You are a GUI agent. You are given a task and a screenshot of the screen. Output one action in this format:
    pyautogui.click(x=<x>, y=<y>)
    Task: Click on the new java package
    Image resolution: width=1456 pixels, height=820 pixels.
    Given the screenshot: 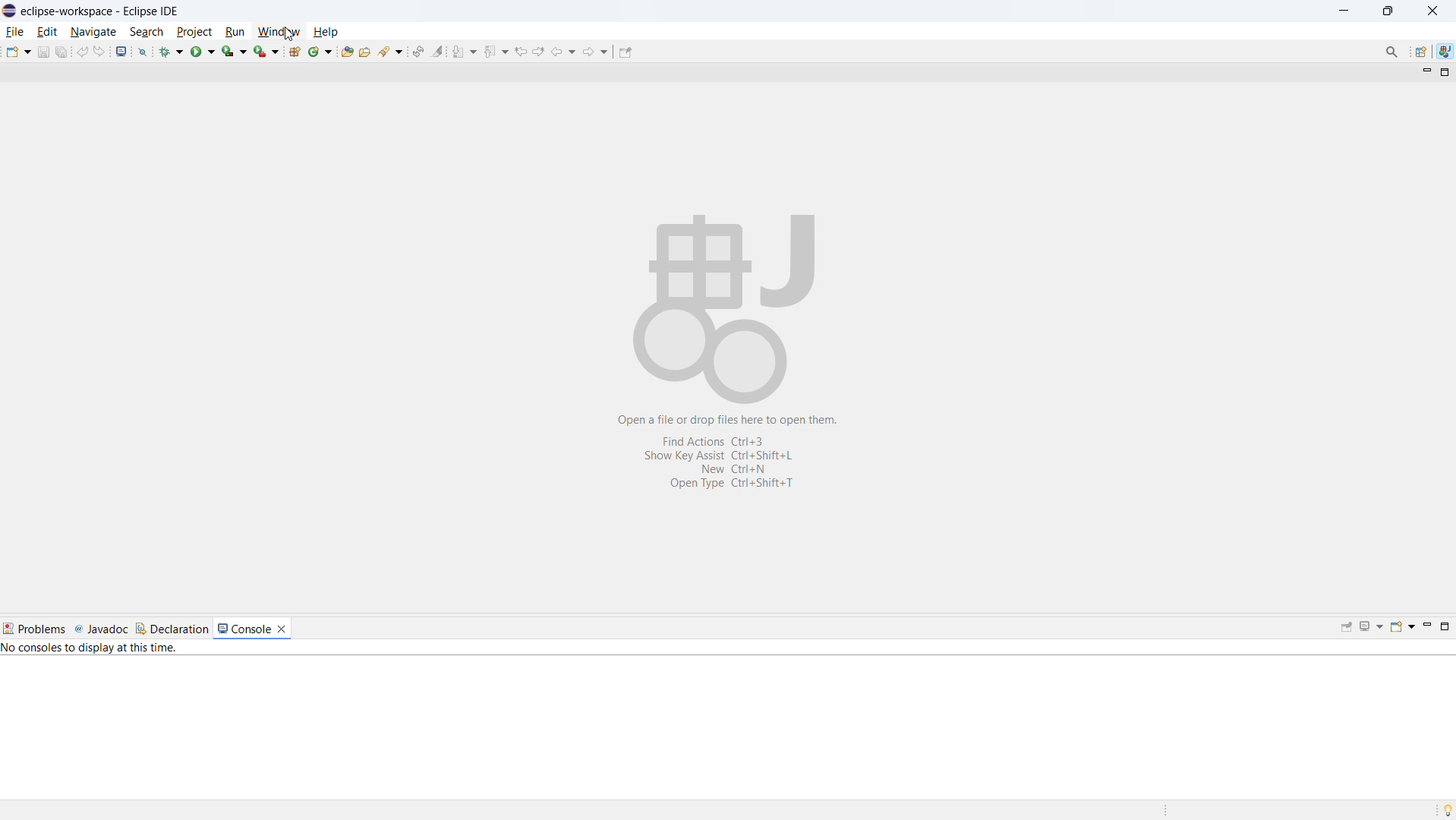 What is the action you would take?
    pyautogui.click(x=296, y=52)
    